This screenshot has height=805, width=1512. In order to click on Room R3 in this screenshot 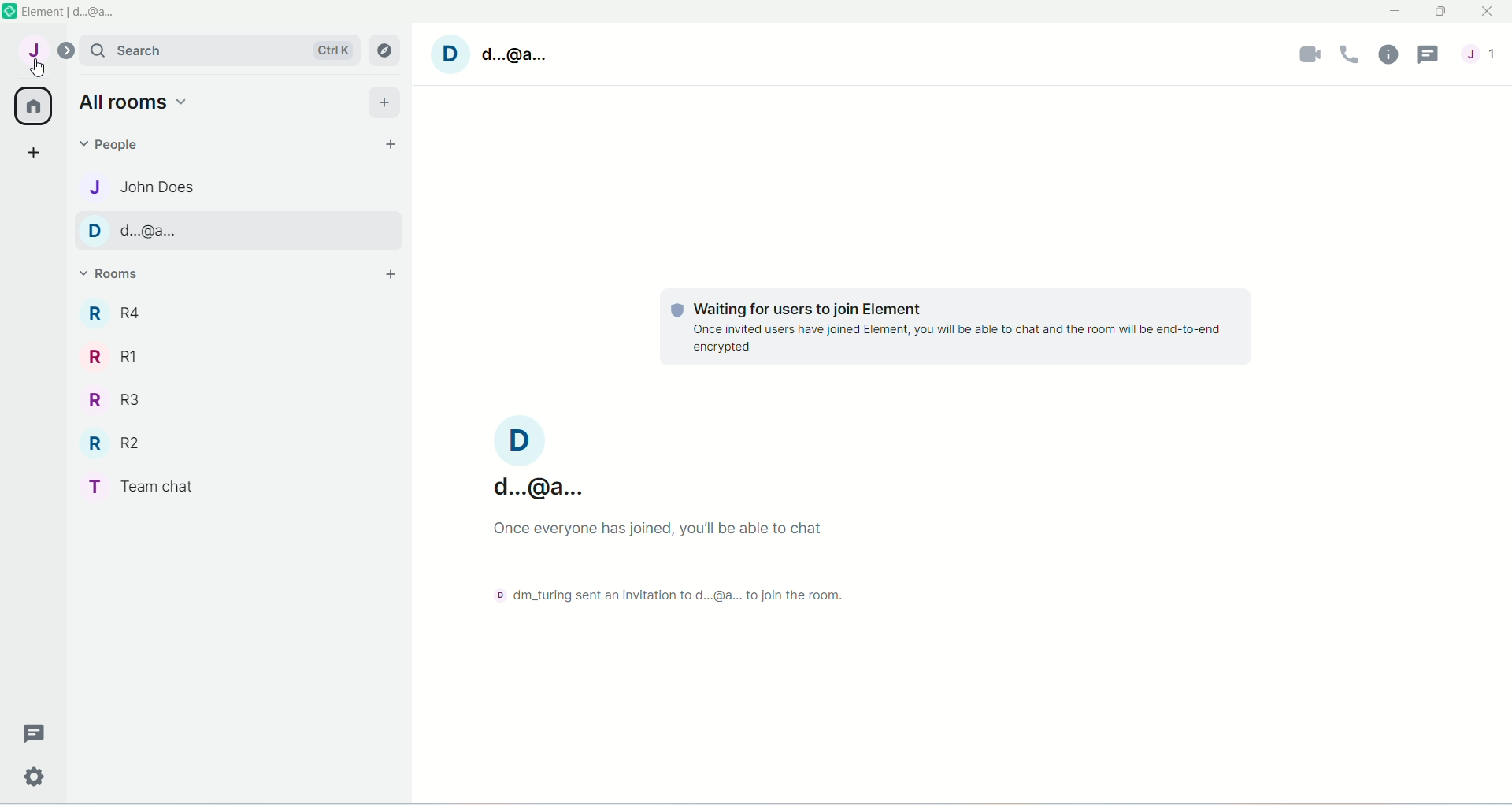, I will do `click(109, 399)`.